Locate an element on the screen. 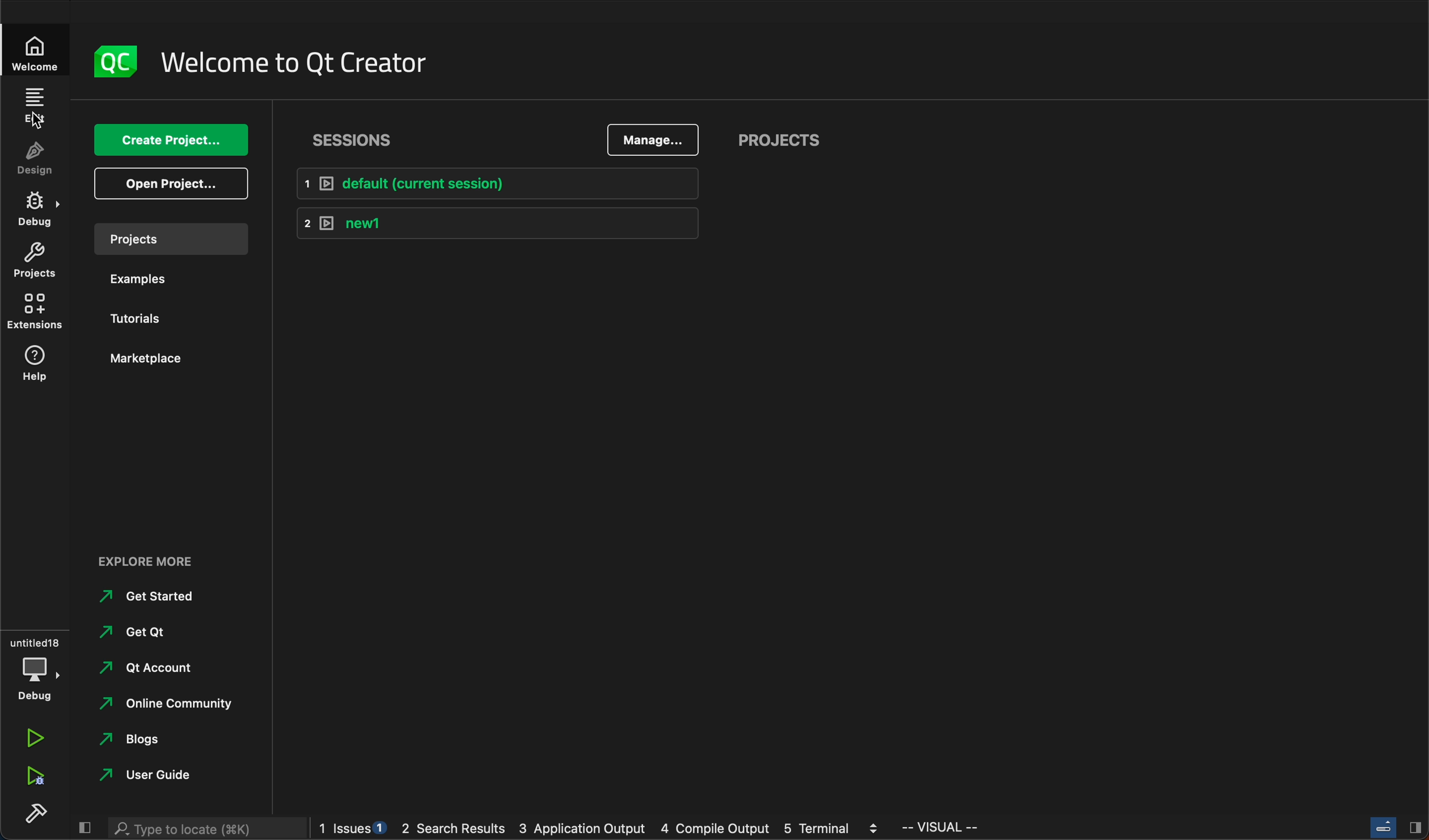 Image resolution: width=1429 pixels, height=840 pixels. new1 is located at coordinates (498, 224).